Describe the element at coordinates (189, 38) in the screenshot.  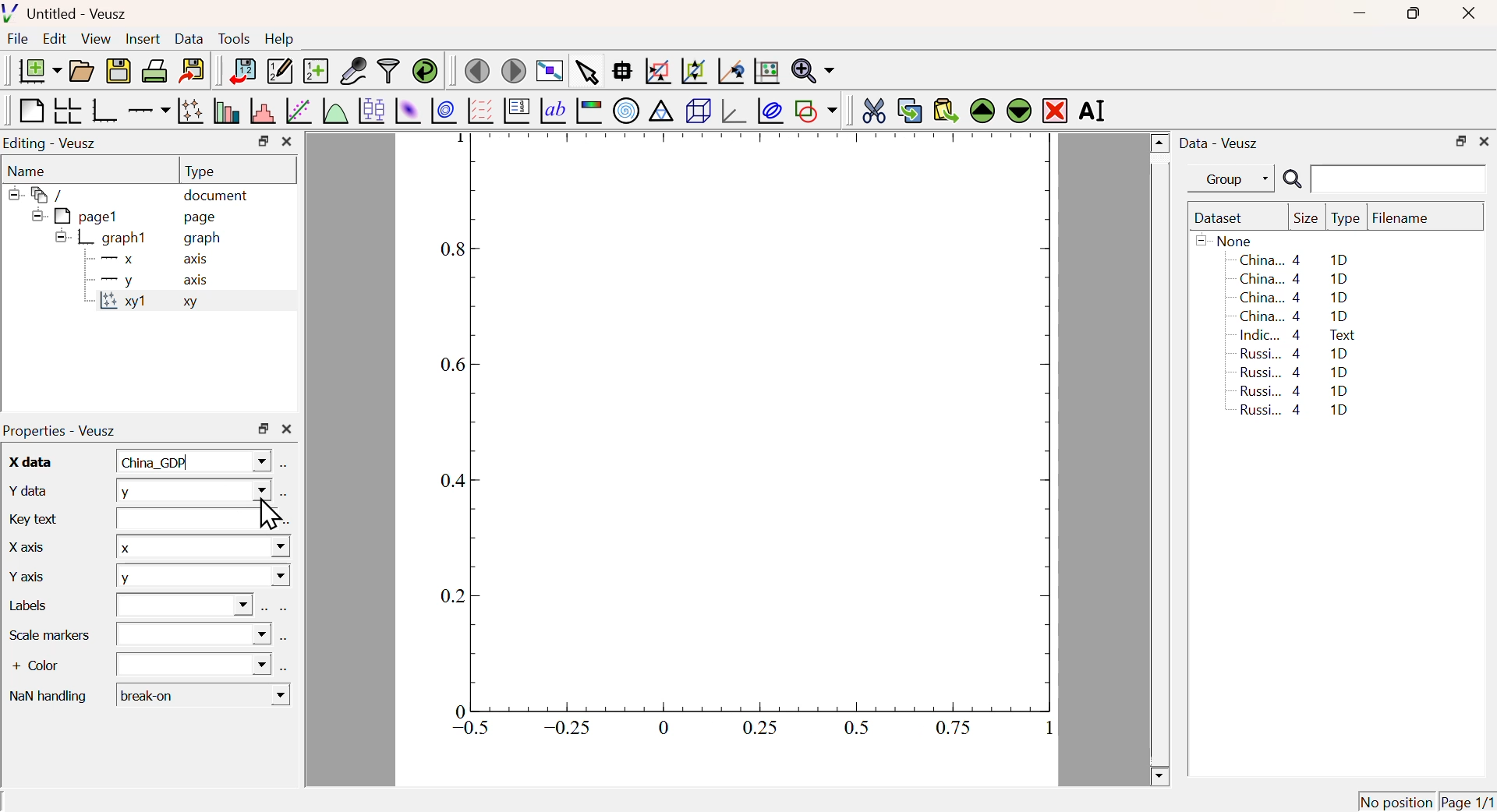
I see `Data` at that location.